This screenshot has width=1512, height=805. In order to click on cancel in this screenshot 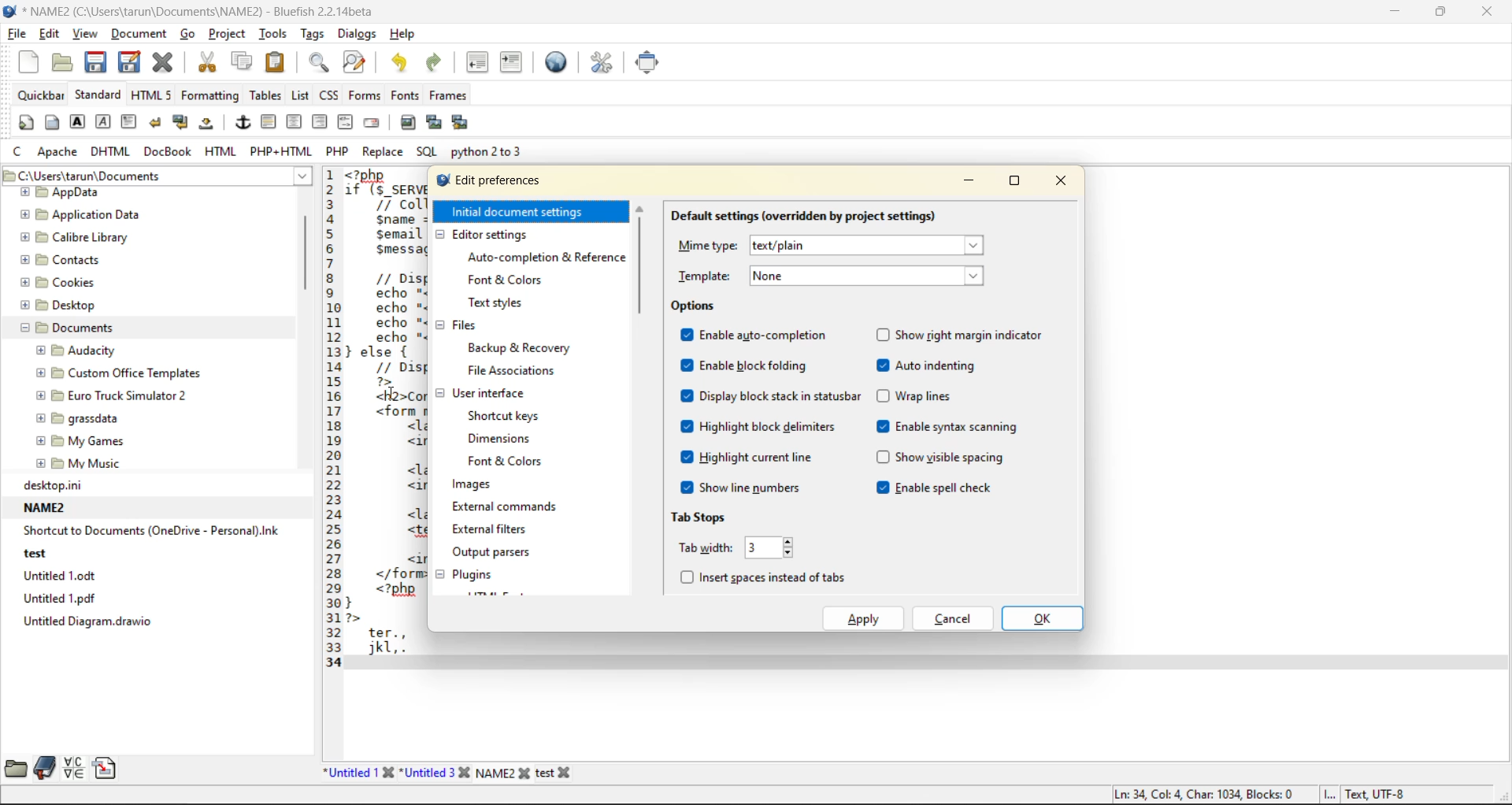, I will do `click(952, 620)`.